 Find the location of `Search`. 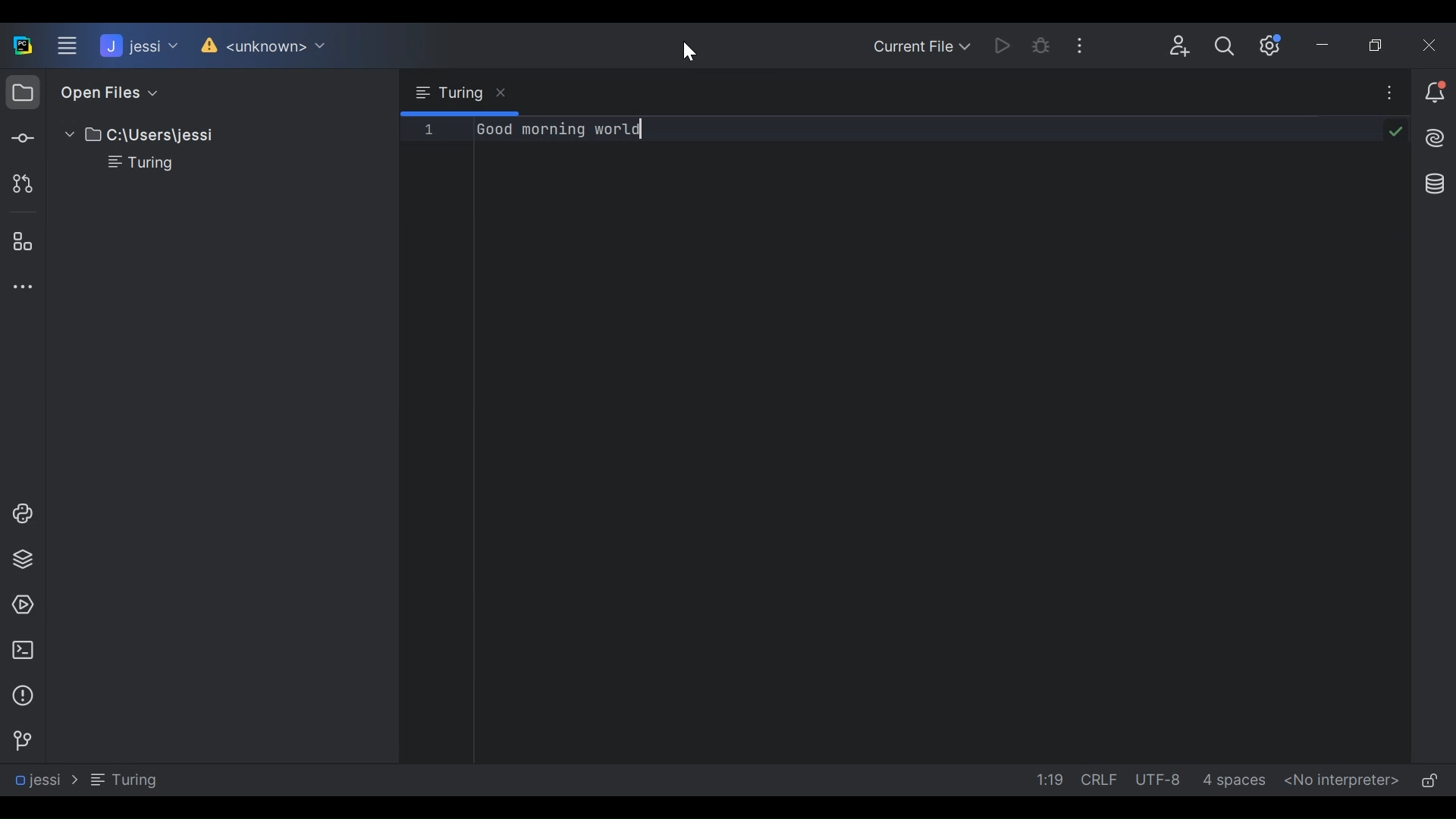

Search is located at coordinates (1225, 45).